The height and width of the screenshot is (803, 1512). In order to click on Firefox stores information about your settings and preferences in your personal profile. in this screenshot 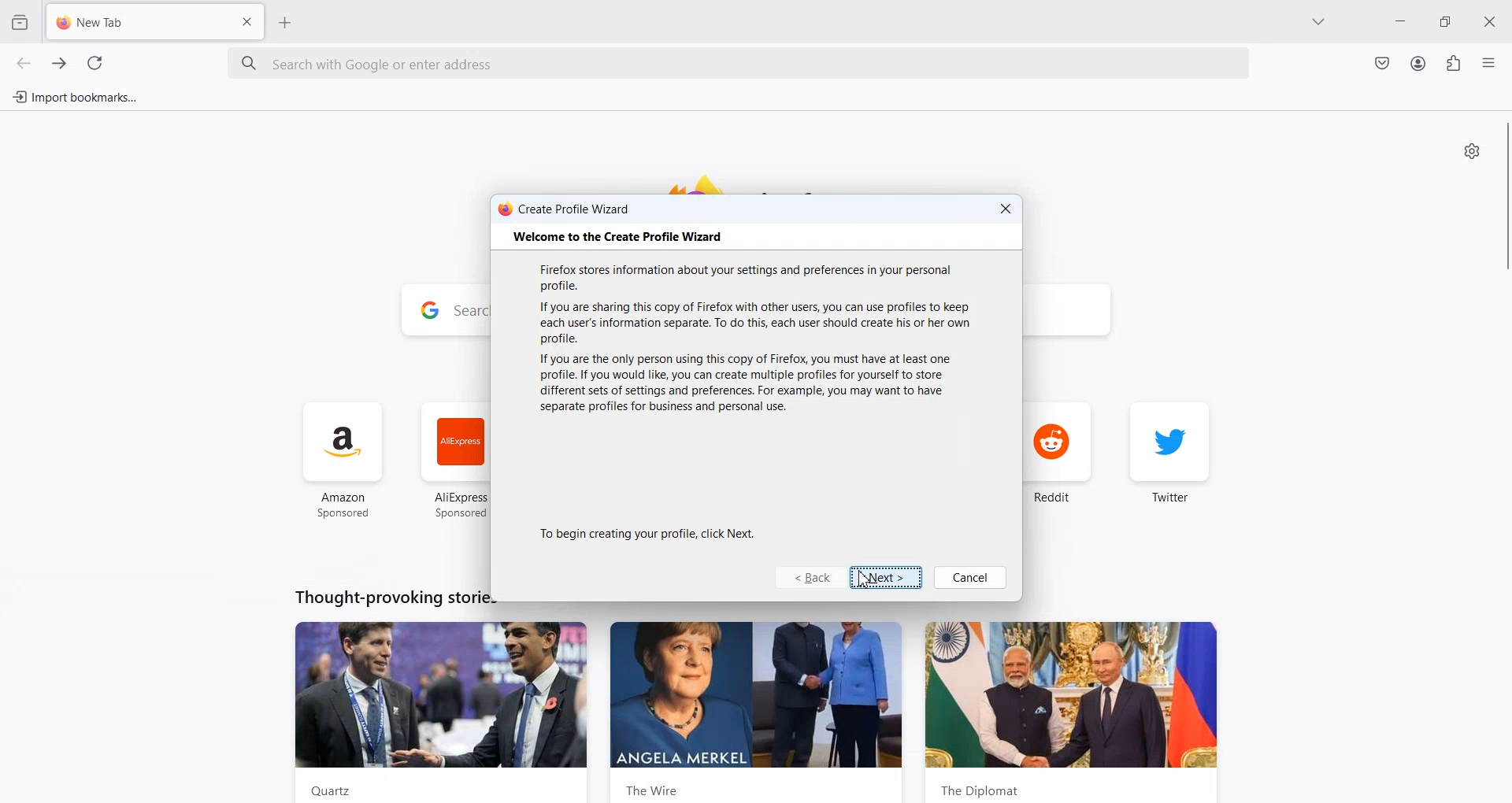, I will do `click(750, 278)`.